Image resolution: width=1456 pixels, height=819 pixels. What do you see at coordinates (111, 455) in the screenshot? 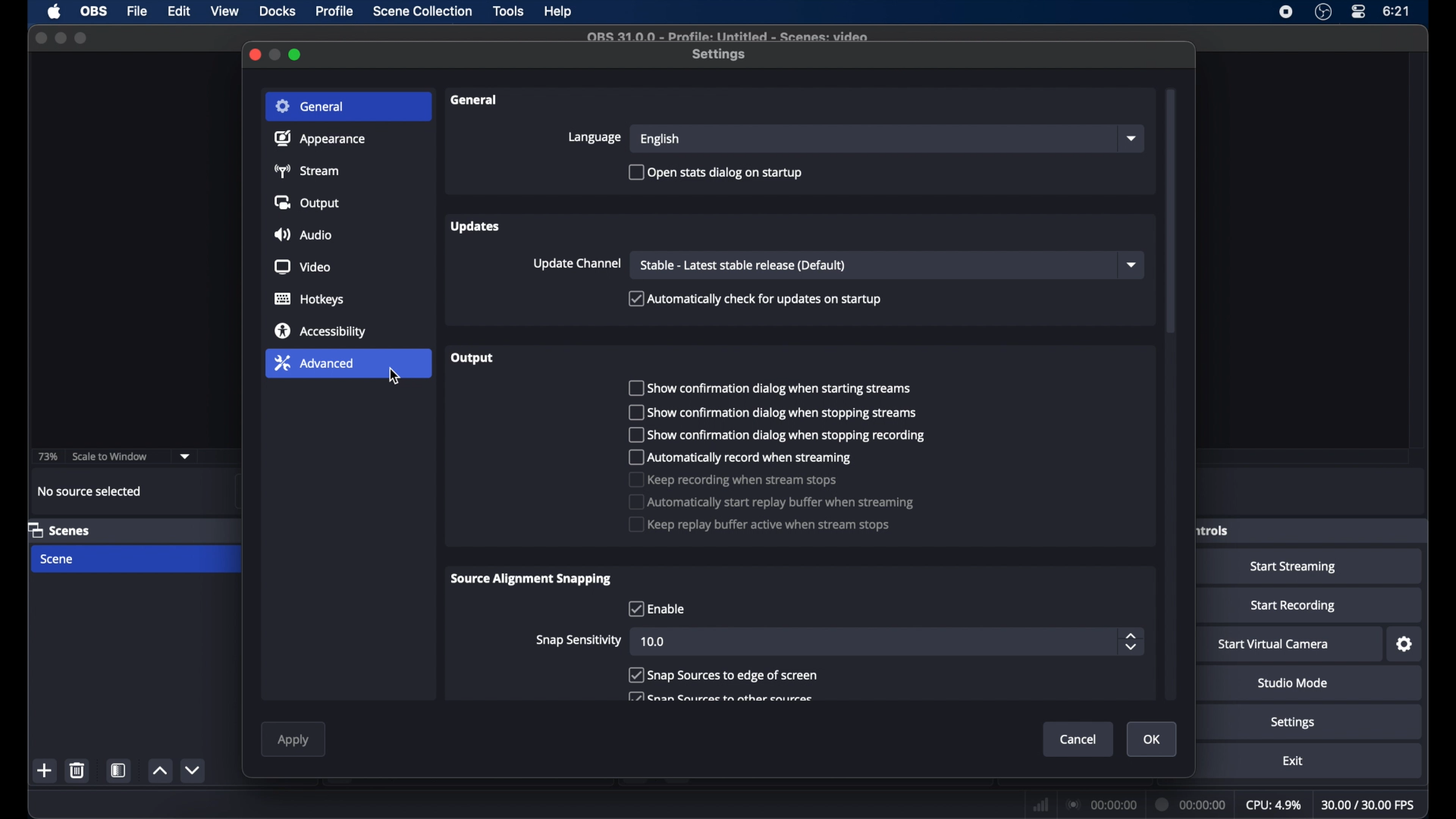
I see `scale to window` at bounding box center [111, 455].